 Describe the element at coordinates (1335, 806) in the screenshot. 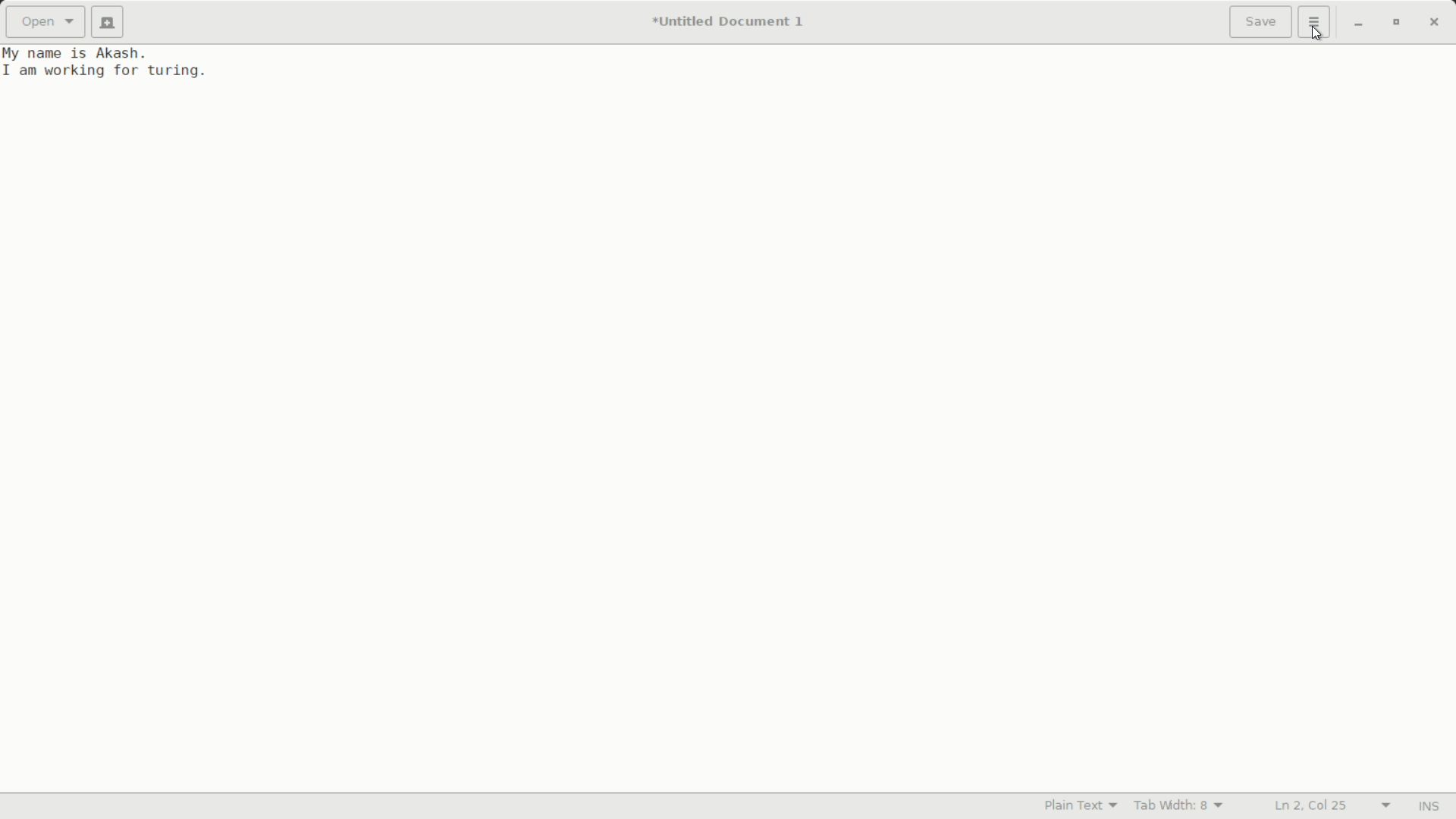

I see `lines and columns` at that location.